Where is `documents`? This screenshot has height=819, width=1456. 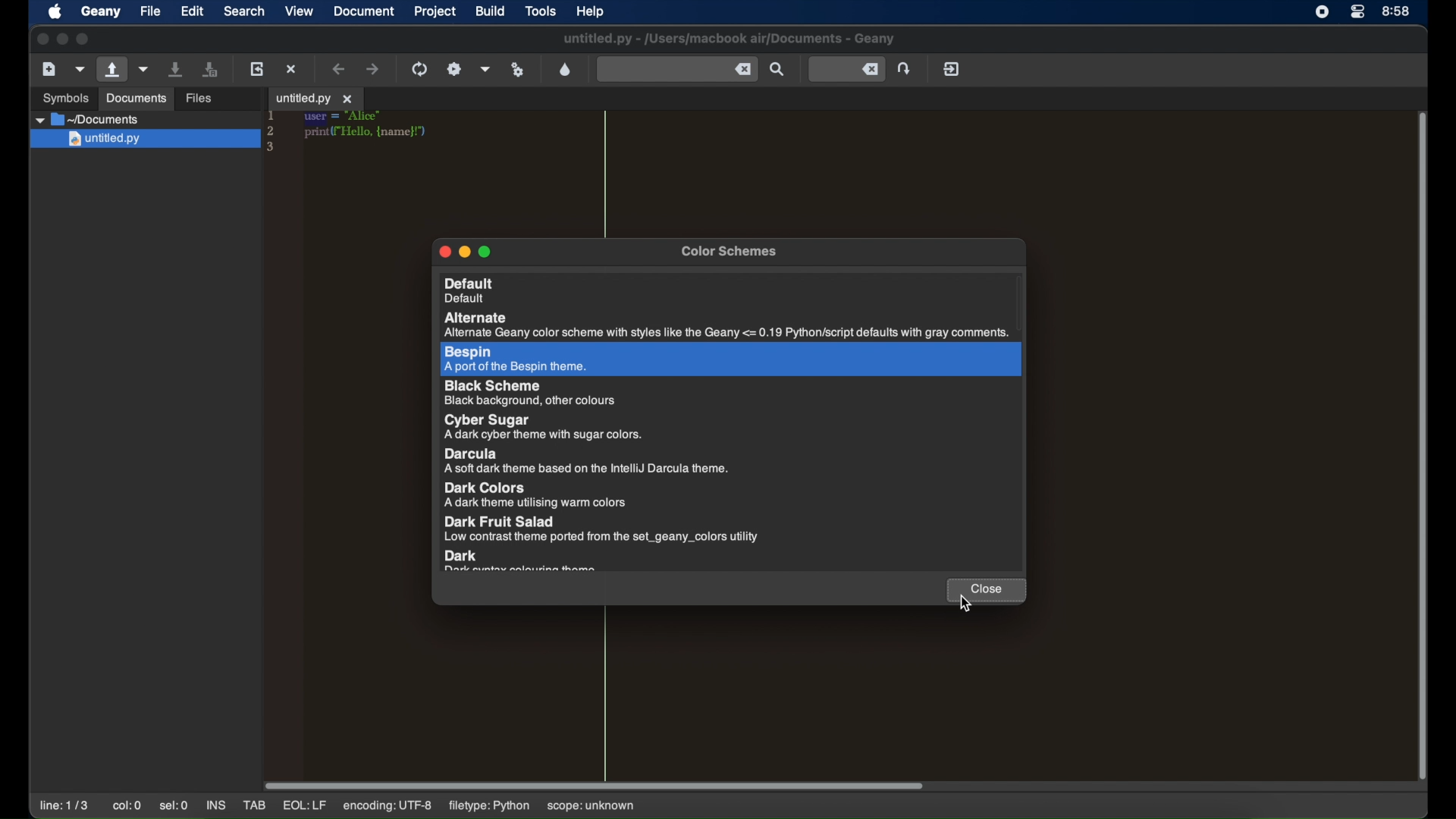
documents is located at coordinates (88, 120).